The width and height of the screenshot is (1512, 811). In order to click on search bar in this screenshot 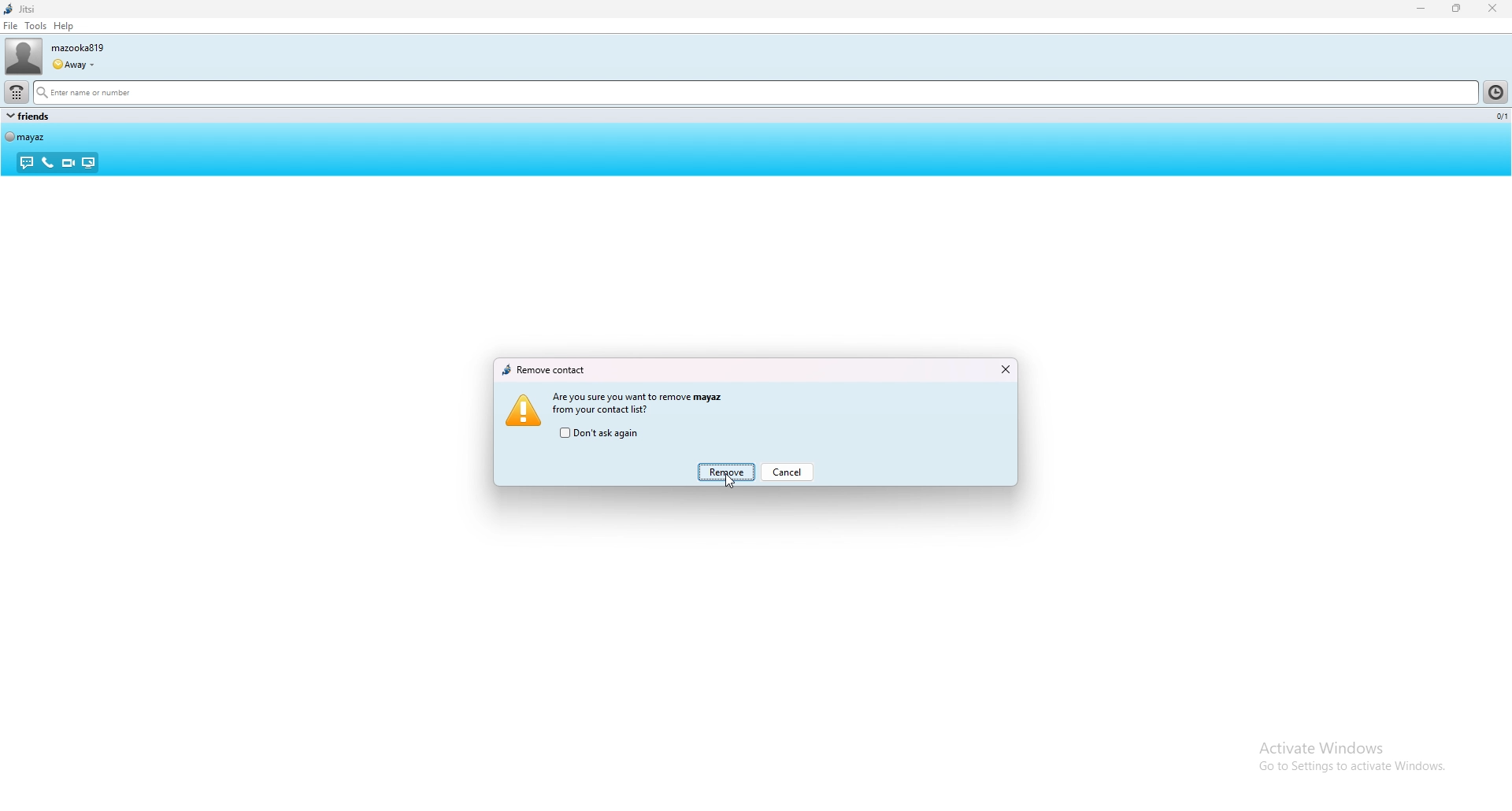, I will do `click(756, 94)`.